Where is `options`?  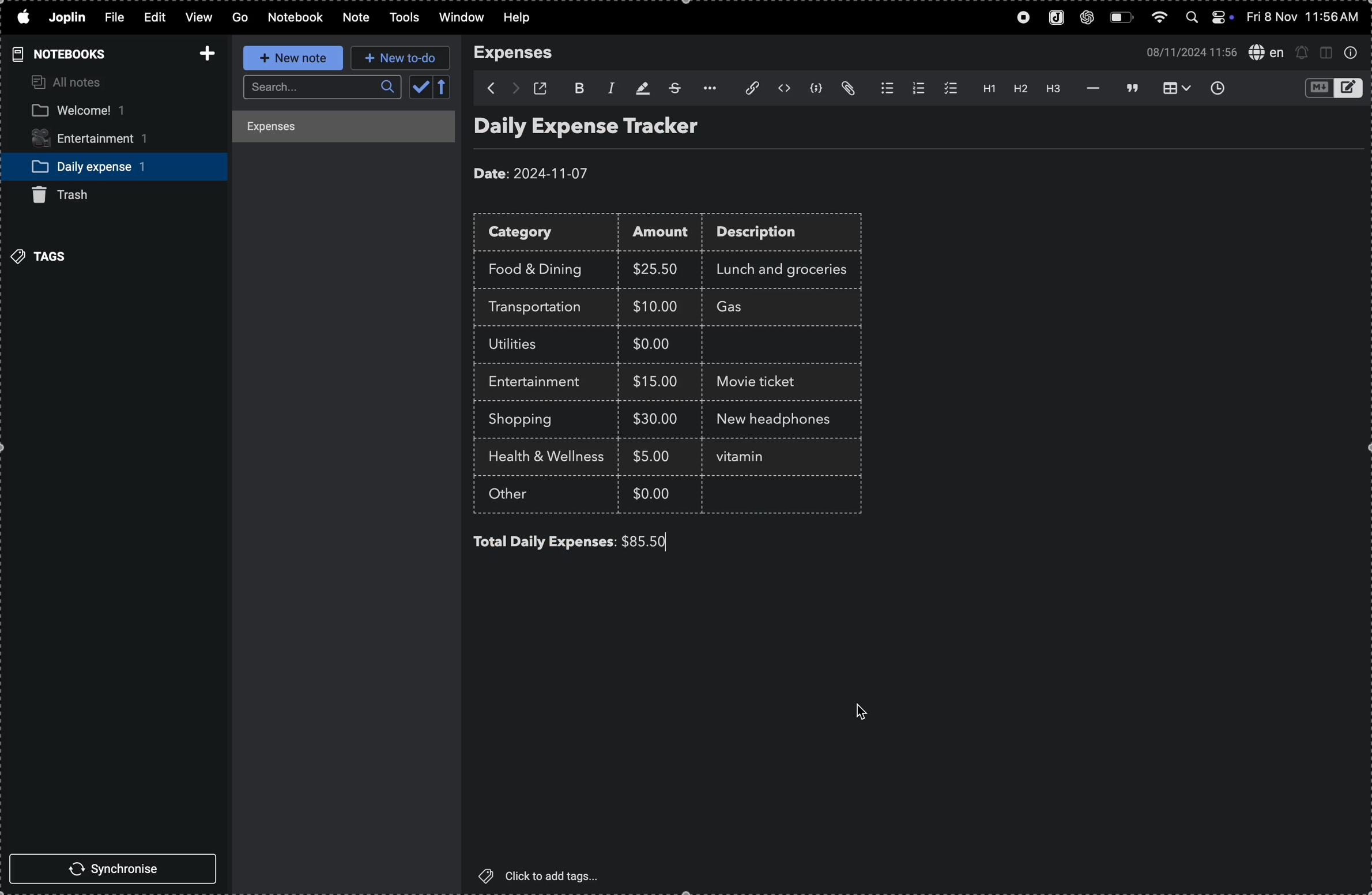 options is located at coordinates (706, 88).